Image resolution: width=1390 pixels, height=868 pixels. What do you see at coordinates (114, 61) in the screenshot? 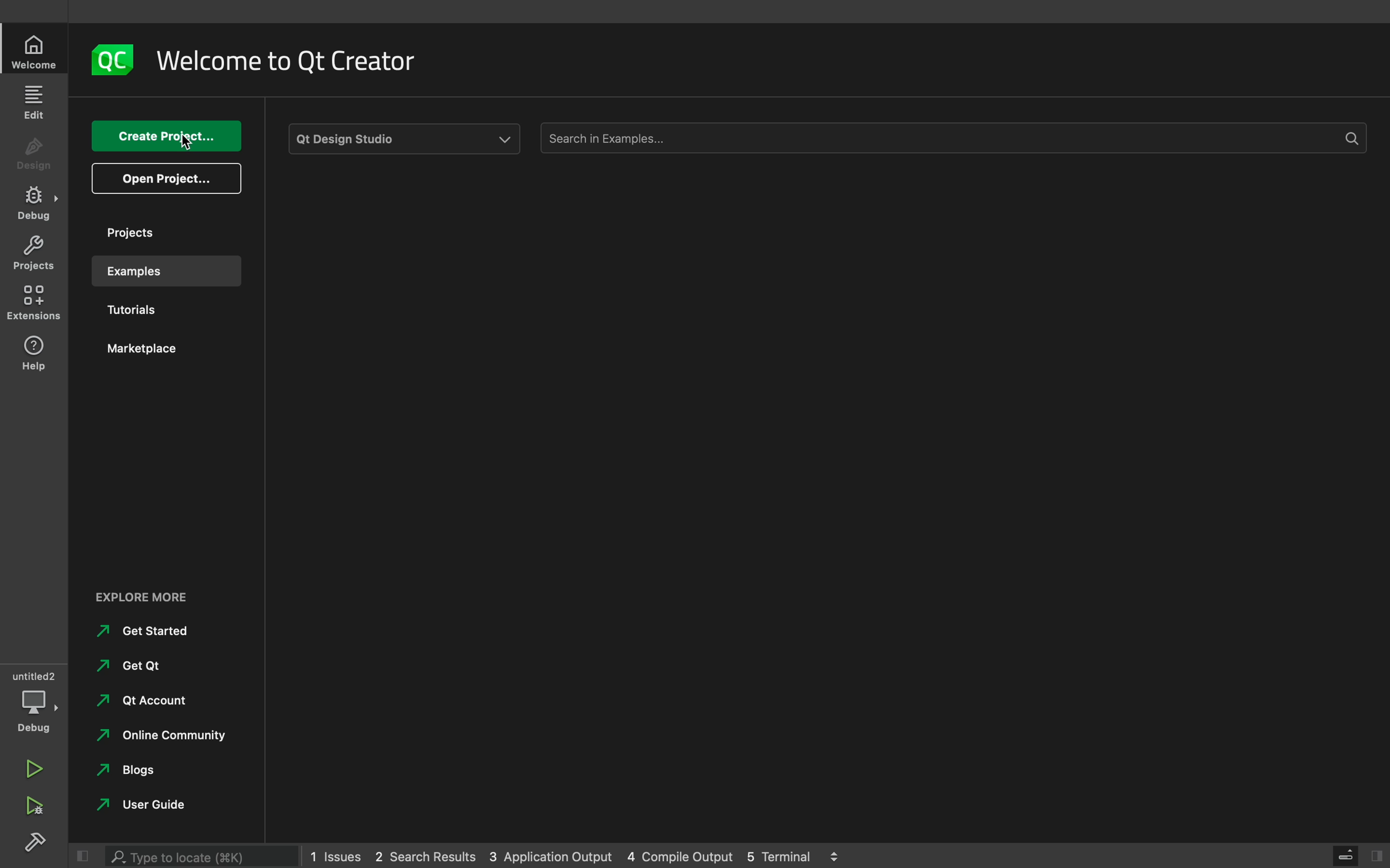
I see `logo` at bounding box center [114, 61].